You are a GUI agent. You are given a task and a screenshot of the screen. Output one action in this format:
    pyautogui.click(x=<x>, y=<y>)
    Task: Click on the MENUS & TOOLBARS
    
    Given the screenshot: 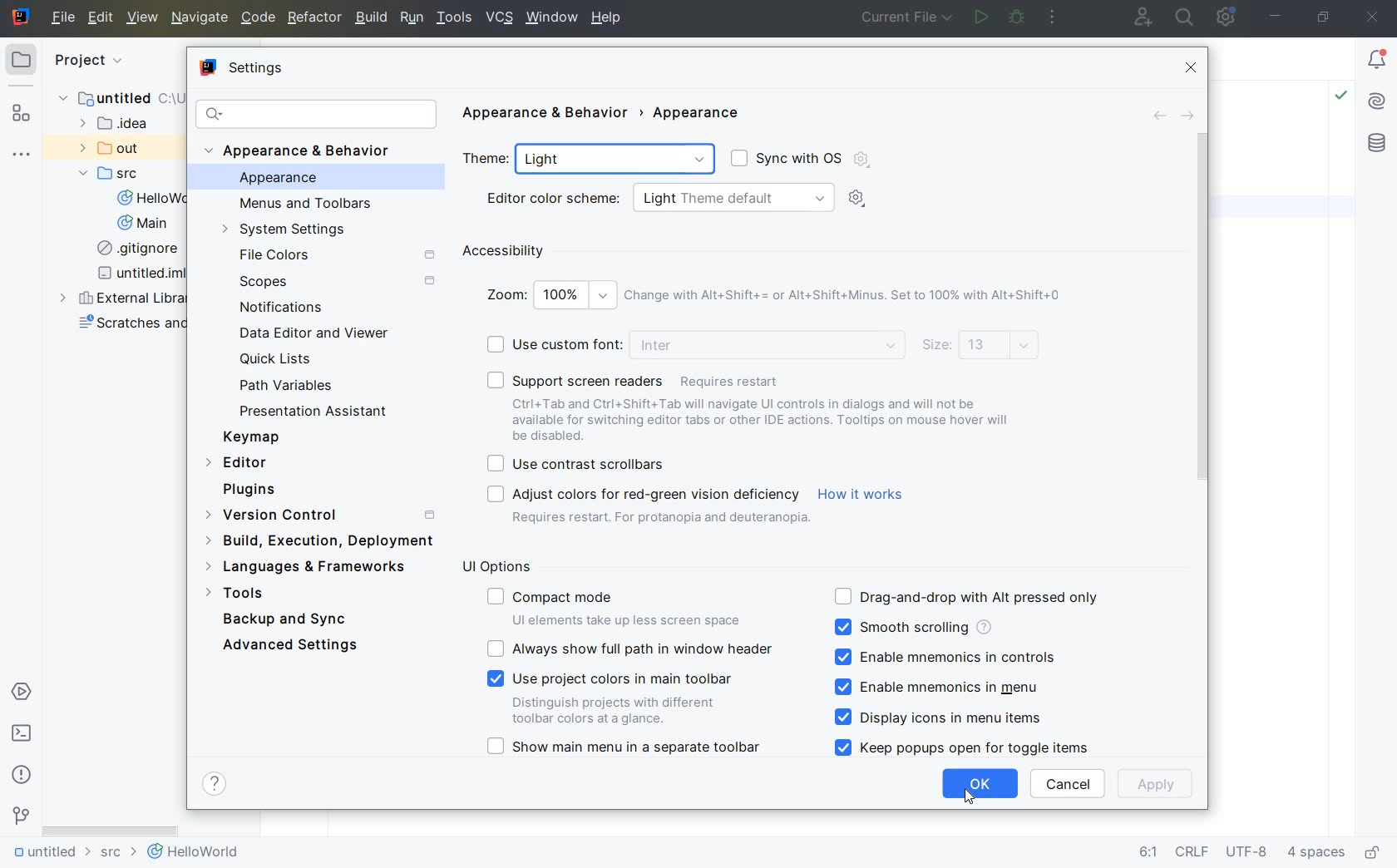 What is the action you would take?
    pyautogui.click(x=307, y=205)
    